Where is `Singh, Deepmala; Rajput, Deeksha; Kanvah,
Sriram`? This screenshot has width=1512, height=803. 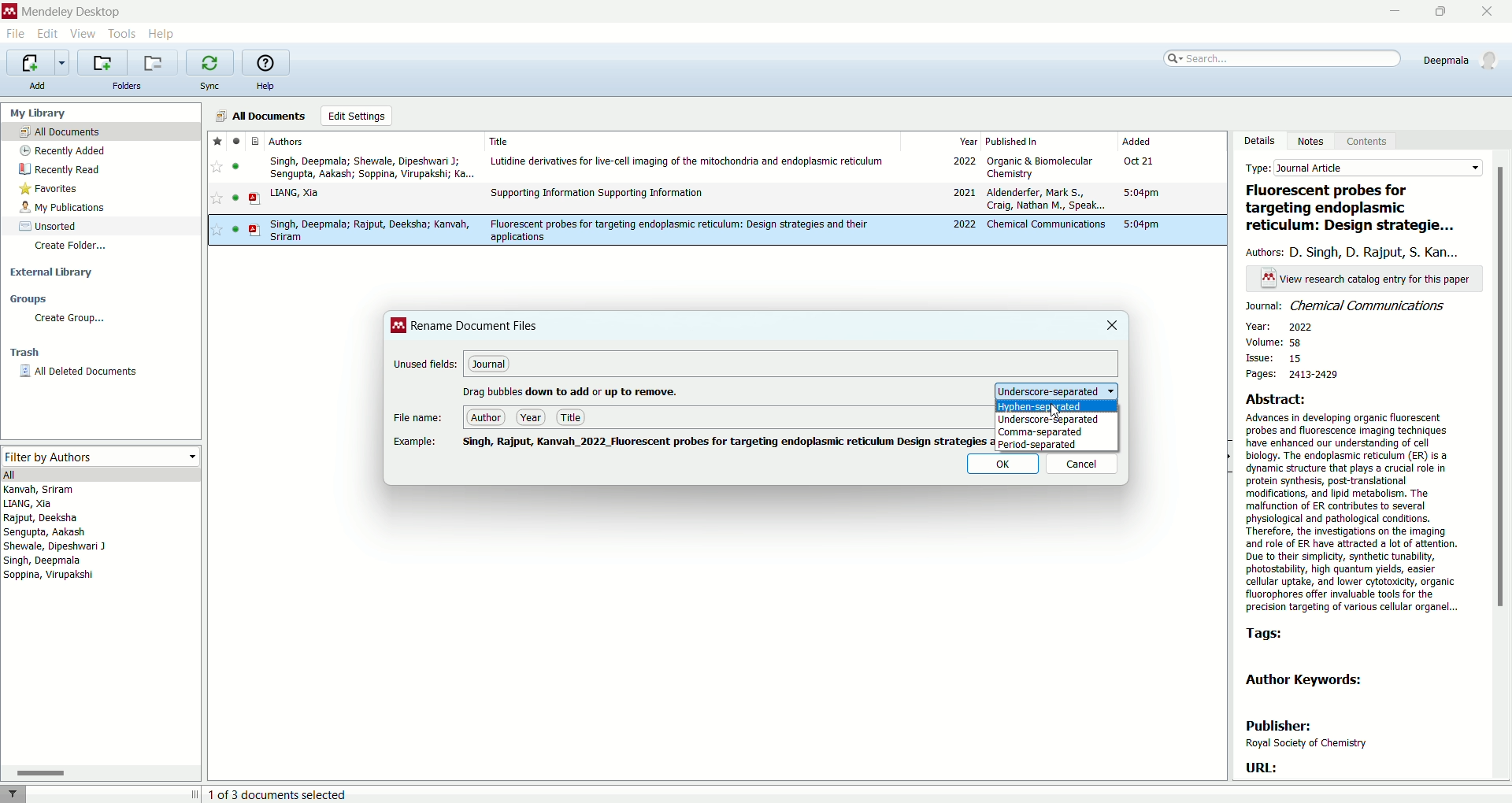
Singh, Deepmala; Rajput, Deeksha; Kanvah,
Sriram is located at coordinates (369, 231).